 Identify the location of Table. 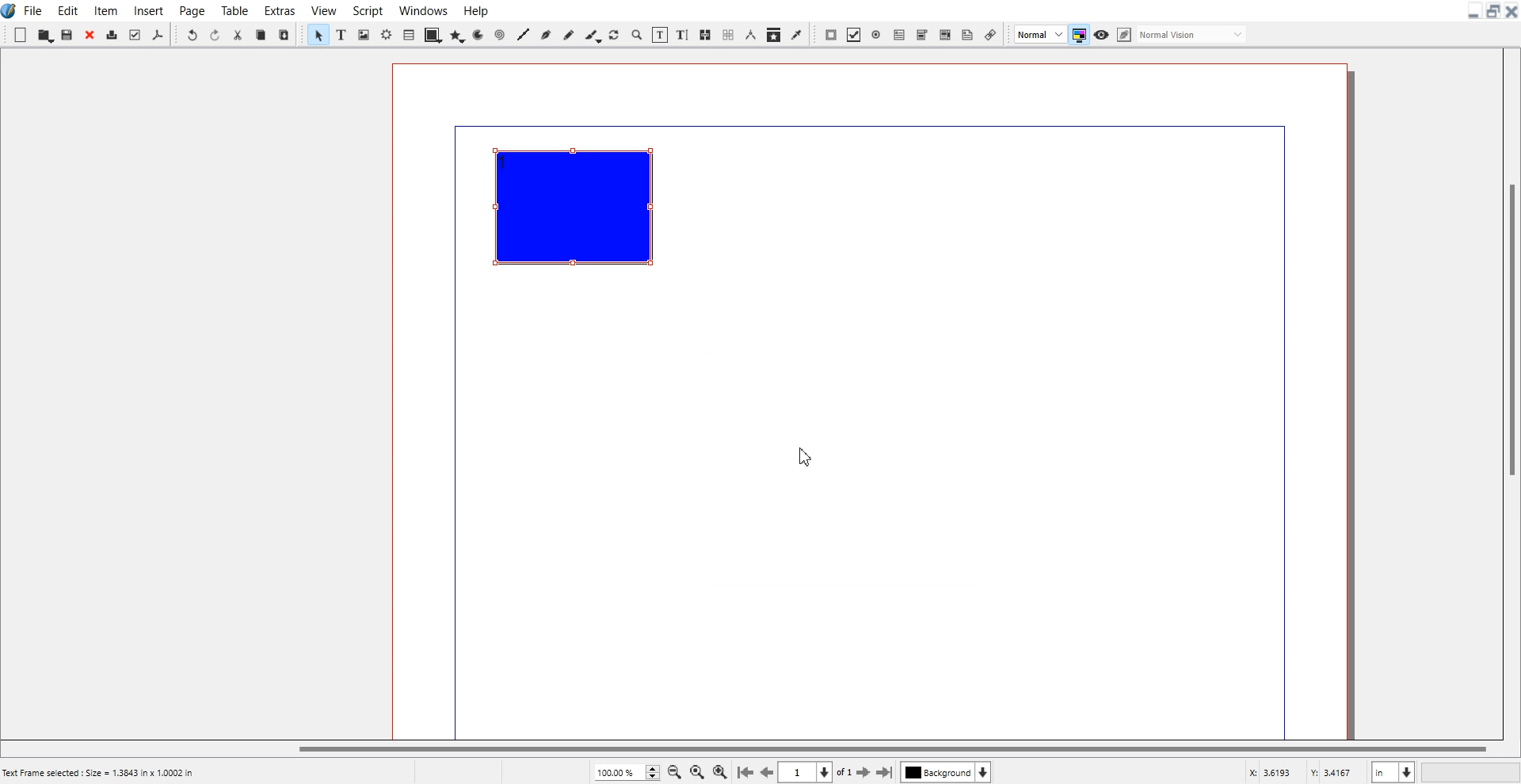
(409, 34).